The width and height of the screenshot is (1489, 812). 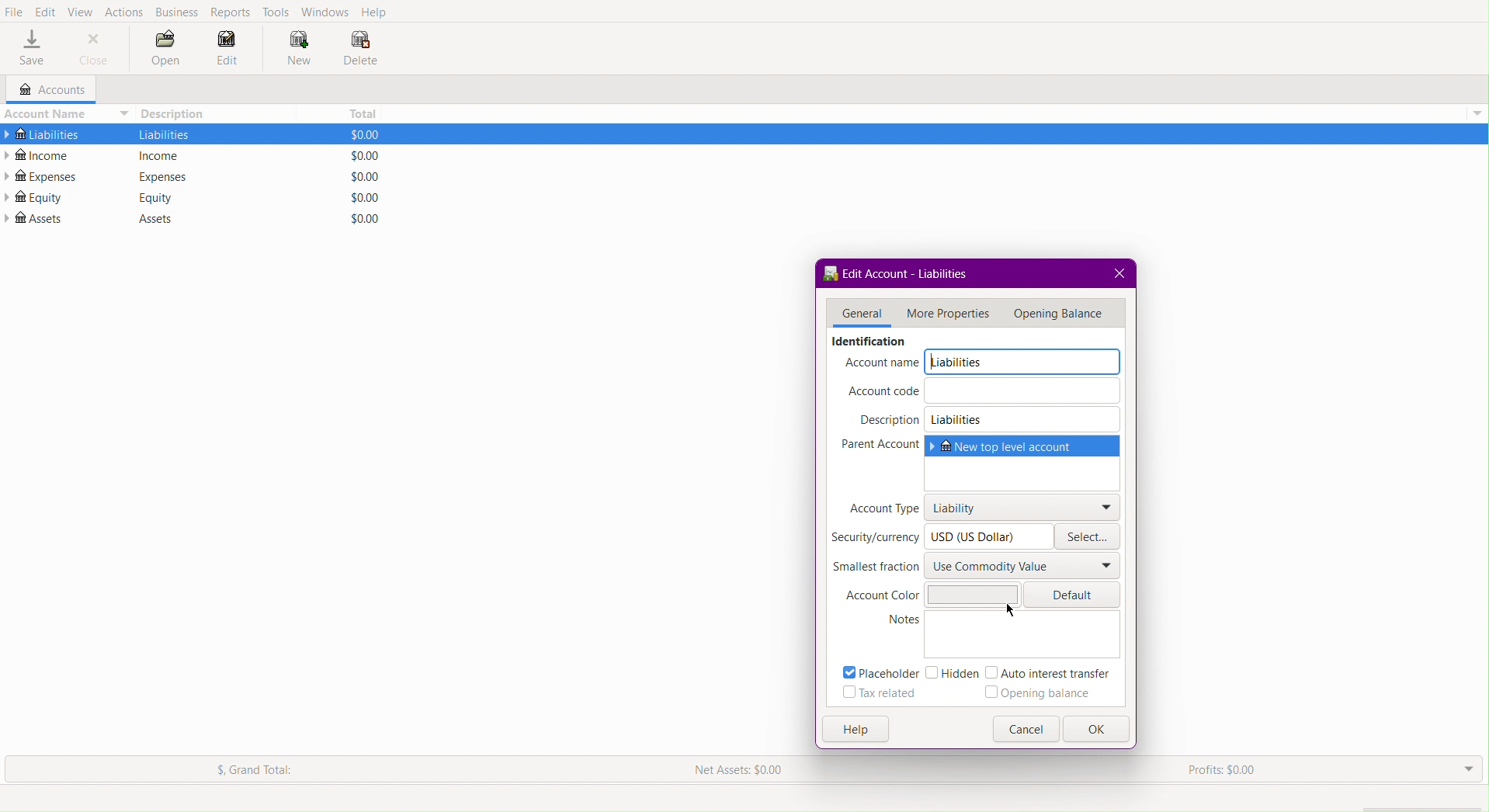 What do you see at coordinates (164, 134) in the screenshot?
I see `liabilities` at bounding box center [164, 134].